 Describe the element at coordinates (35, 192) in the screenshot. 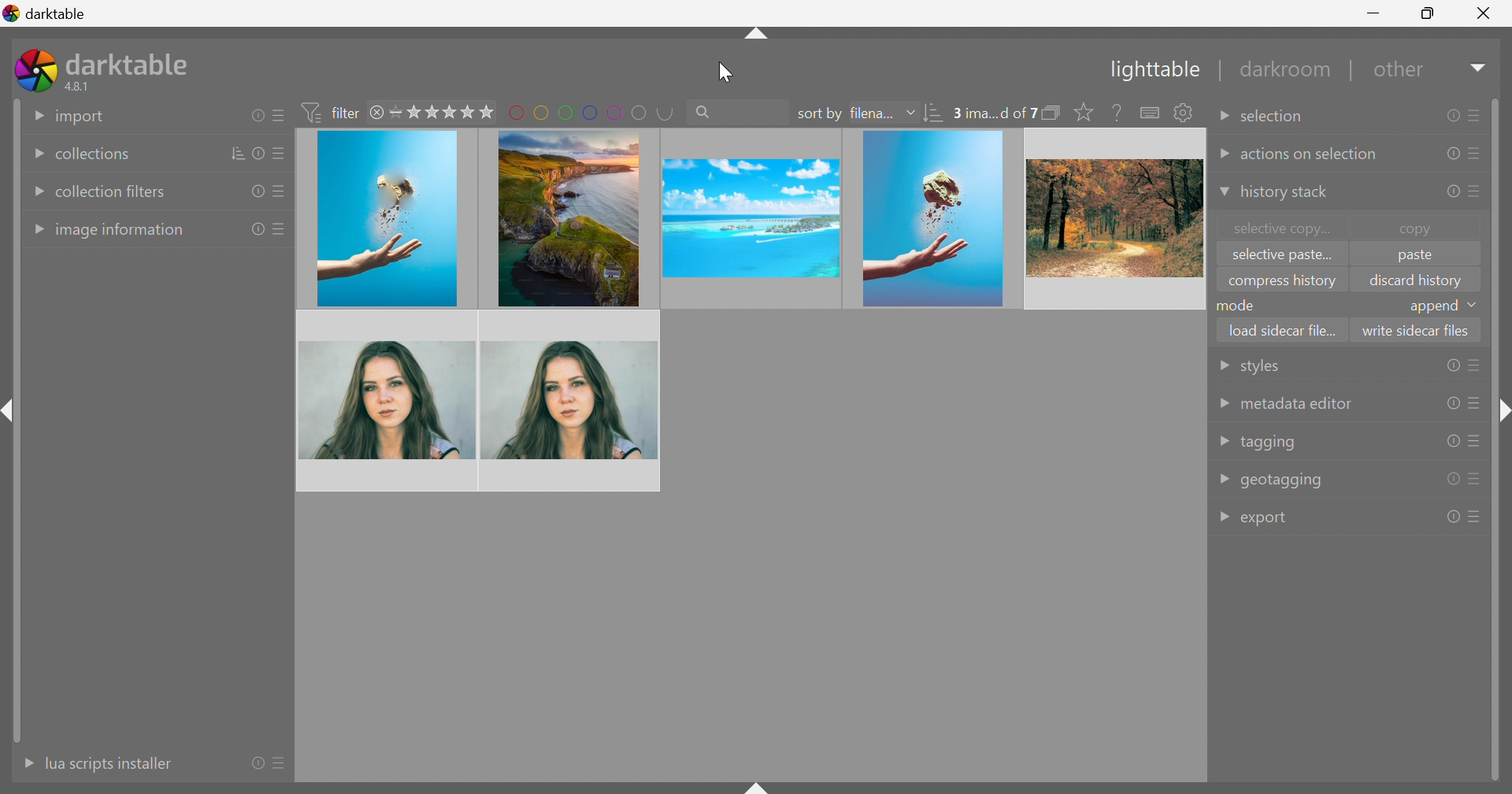

I see `Drop Down` at that location.